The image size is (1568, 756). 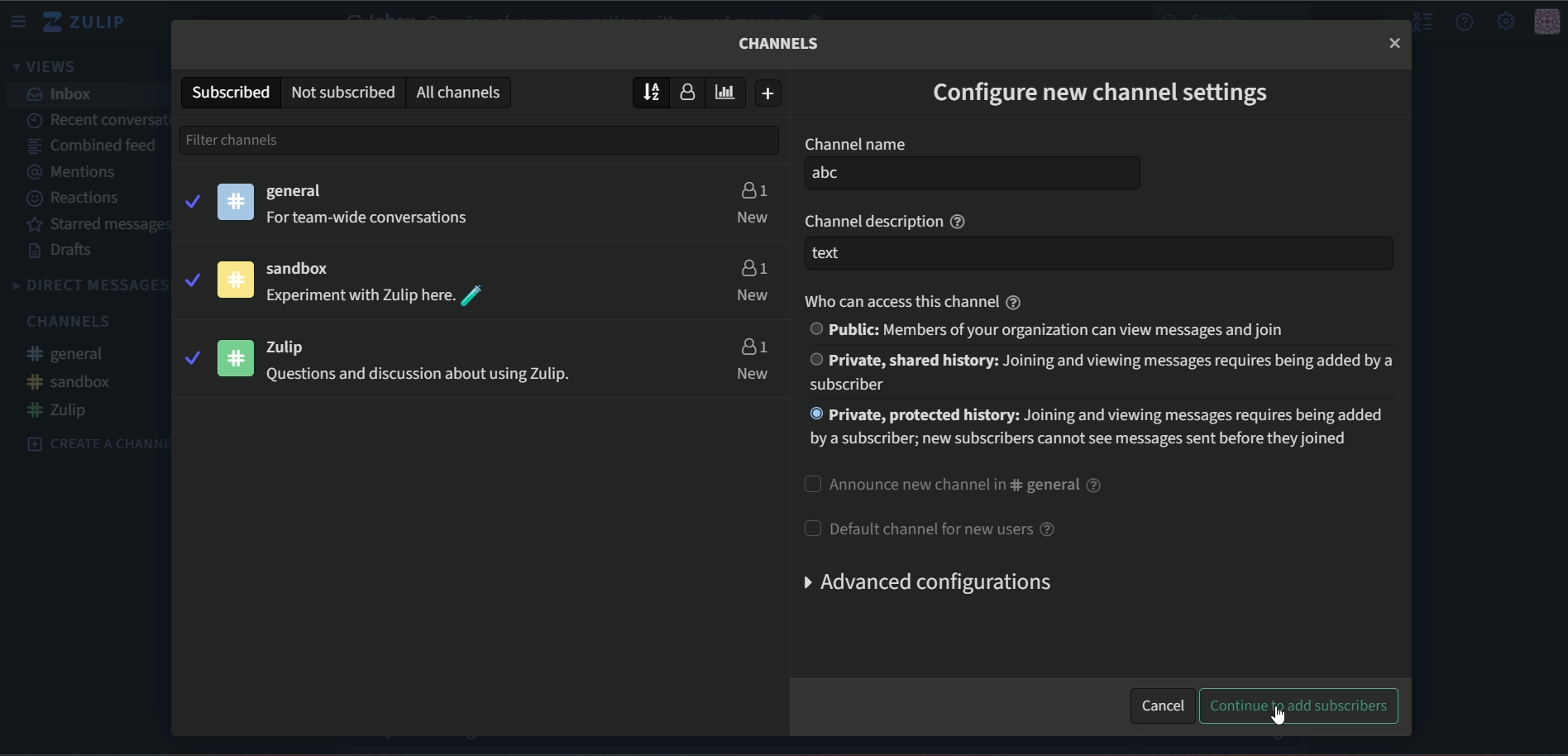 What do you see at coordinates (64, 251) in the screenshot?
I see `drafts` at bounding box center [64, 251].